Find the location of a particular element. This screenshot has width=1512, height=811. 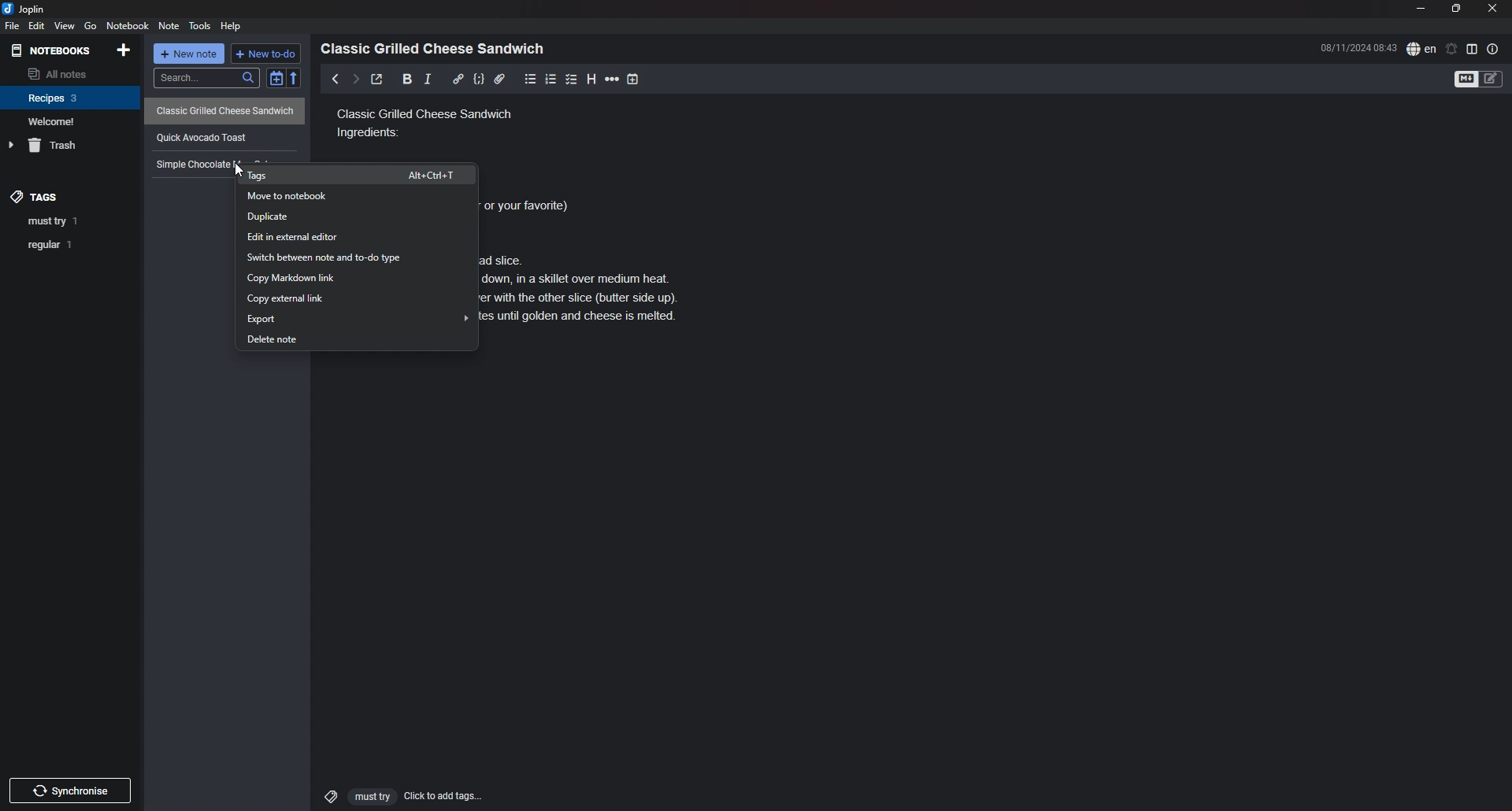

notebooks is located at coordinates (53, 50).